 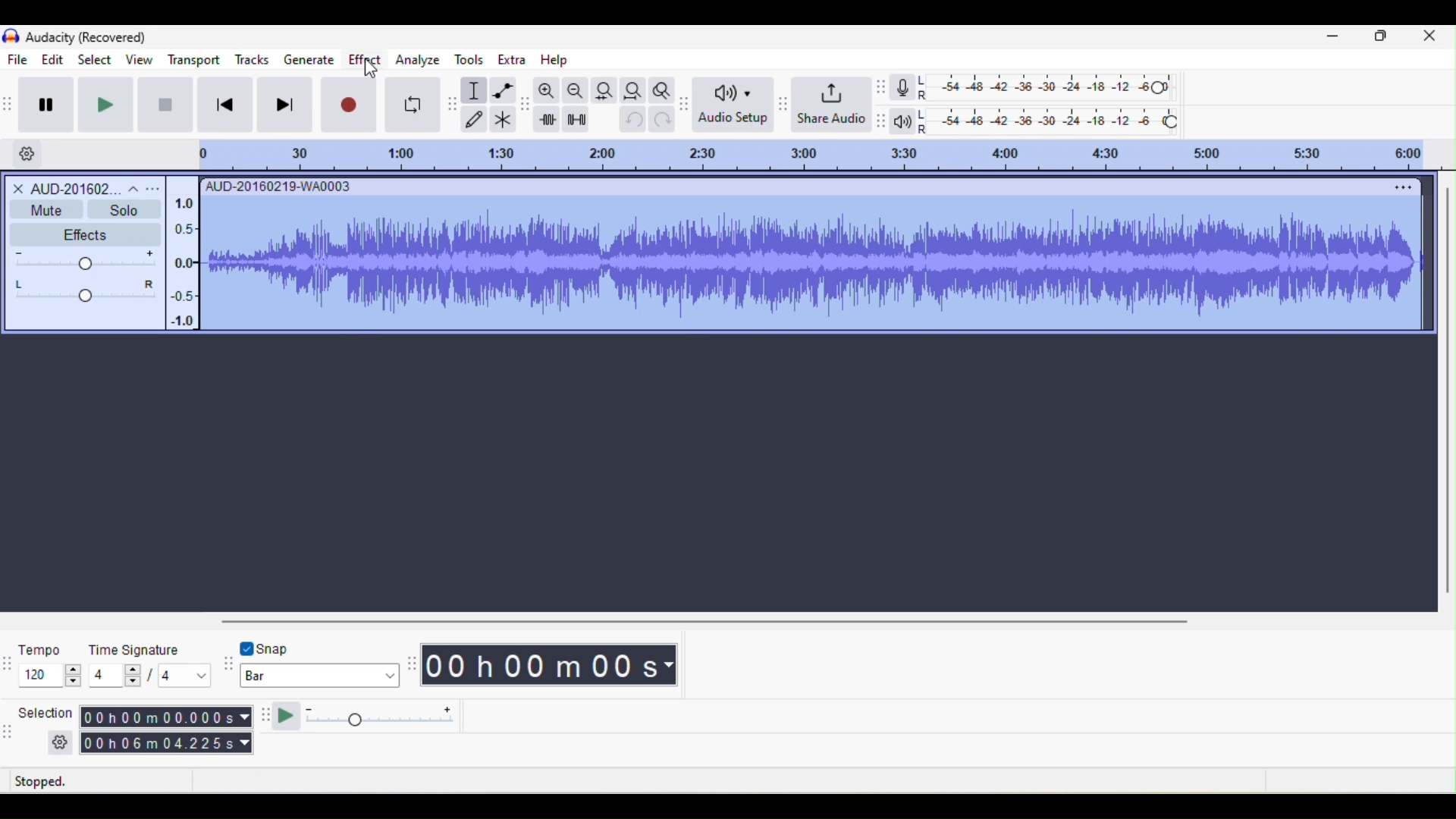 I want to click on audacity transport toolbar, so click(x=9, y=103).